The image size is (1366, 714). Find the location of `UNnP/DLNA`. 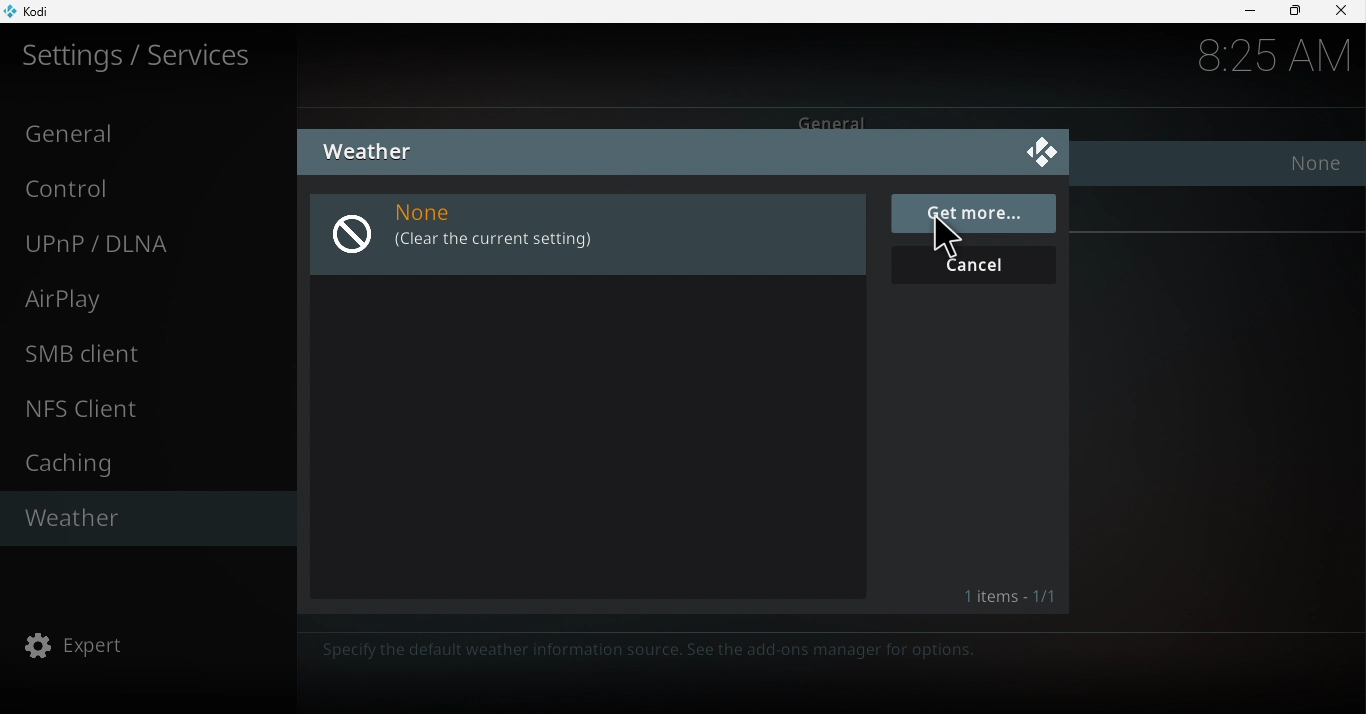

UNnP/DLNA is located at coordinates (139, 244).